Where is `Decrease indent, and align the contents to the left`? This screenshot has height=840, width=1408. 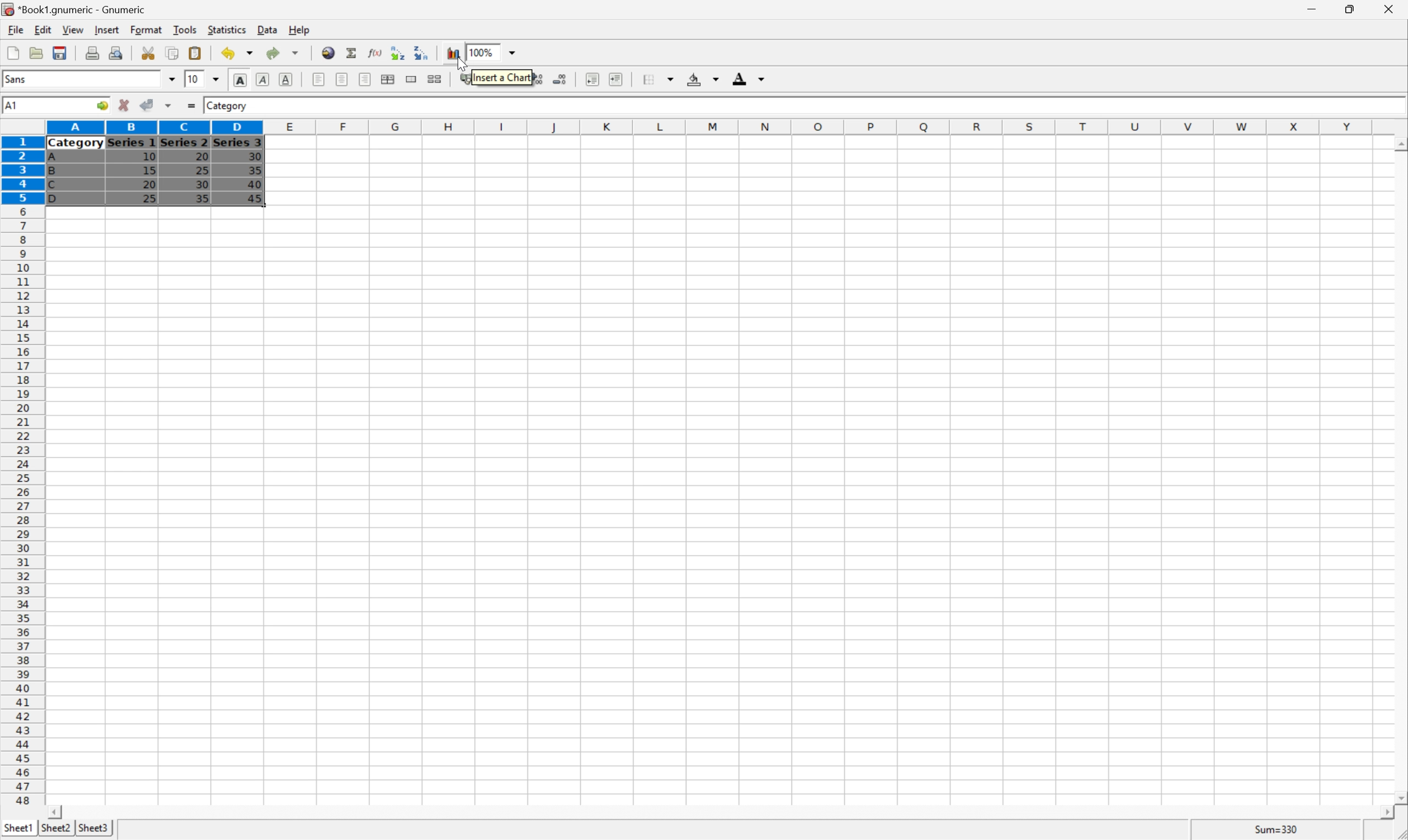
Decrease indent, and align the contents to the left is located at coordinates (592, 79).